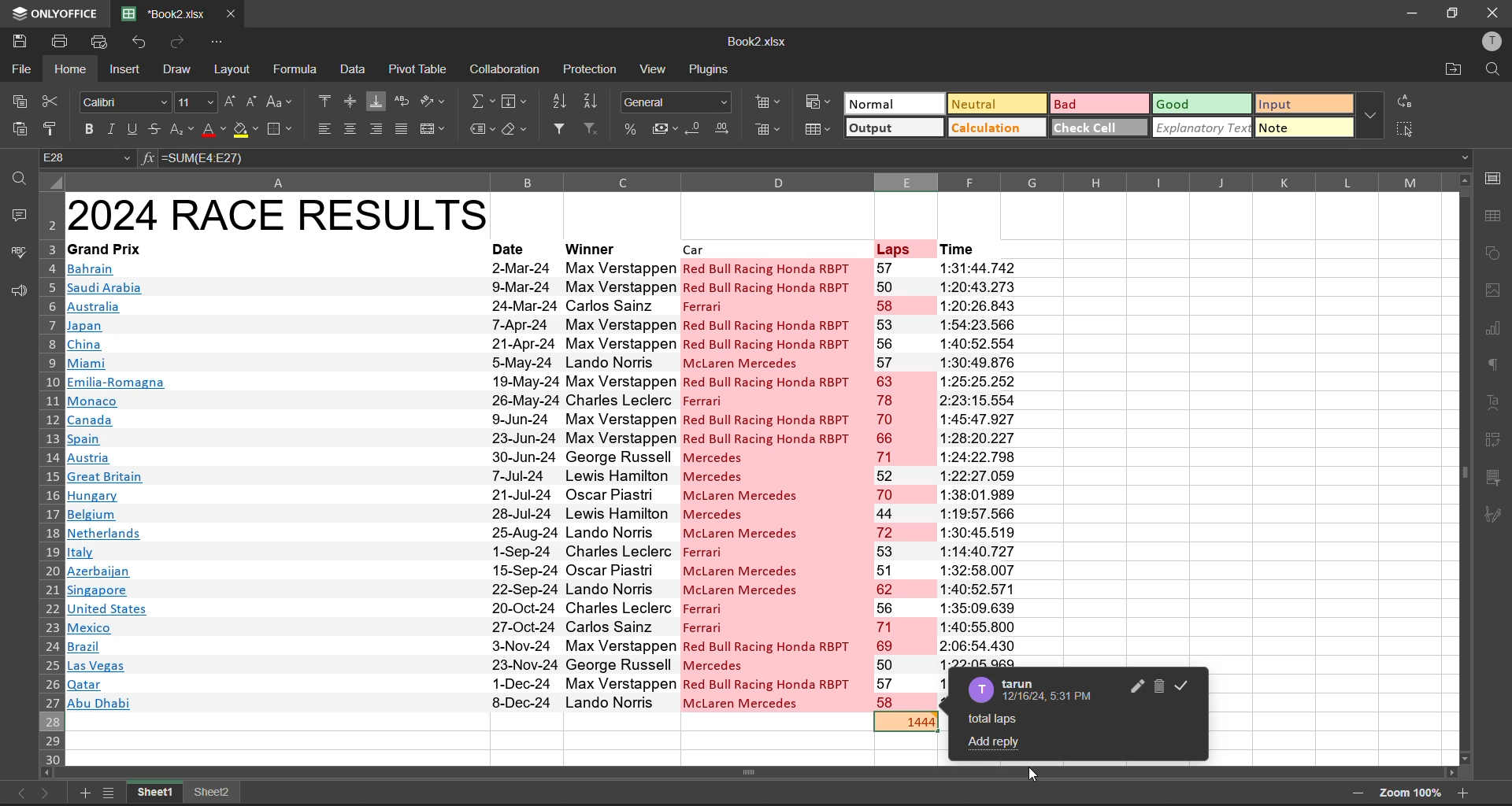 Image resolution: width=1512 pixels, height=806 pixels. Describe the element at coordinates (819, 134) in the screenshot. I see `format as table` at that location.